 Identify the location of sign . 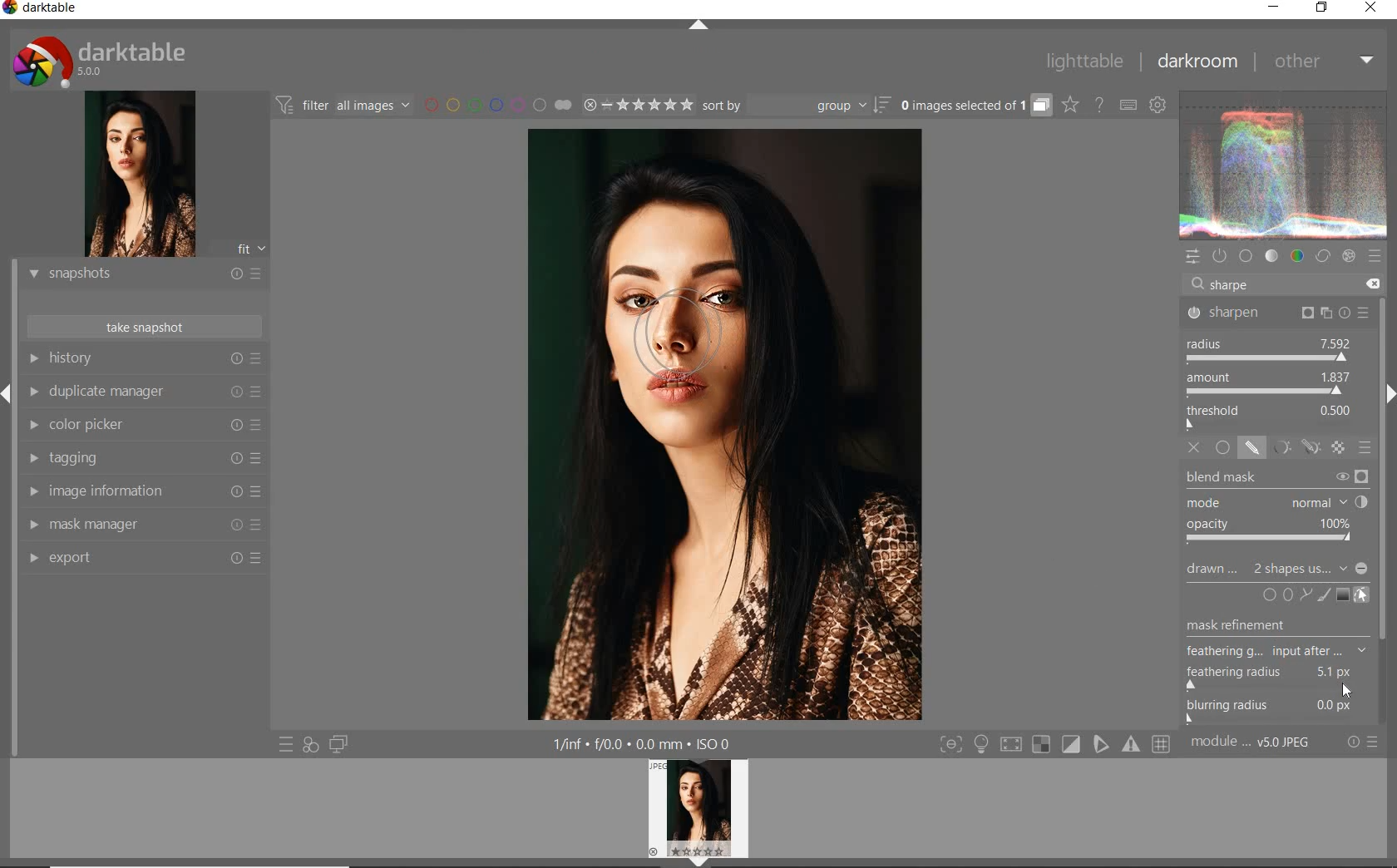
(1133, 747).